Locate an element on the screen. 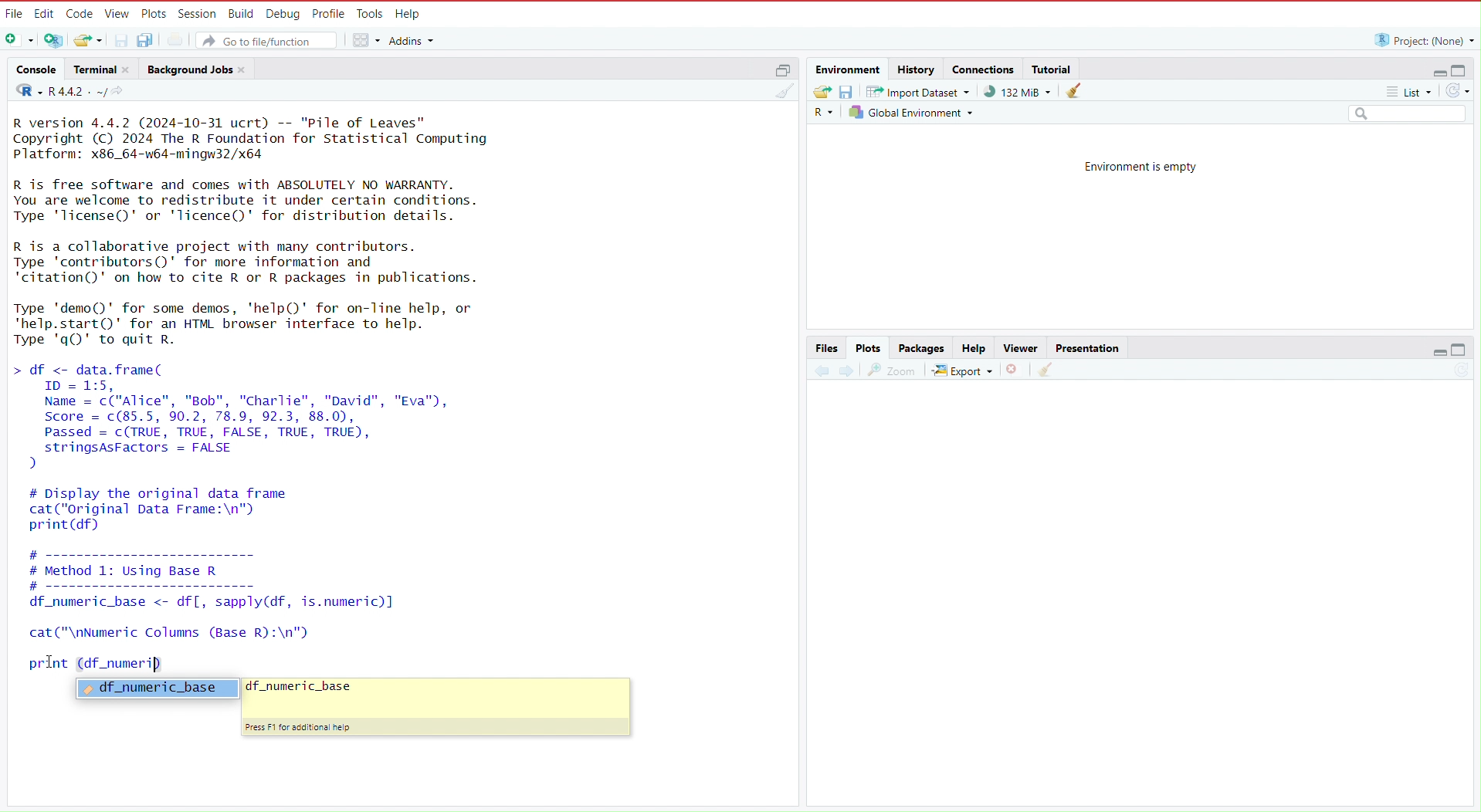 Image resolution: width=1481 pixels, height=812 pixels. Environment is located at coordinates (849, 67).